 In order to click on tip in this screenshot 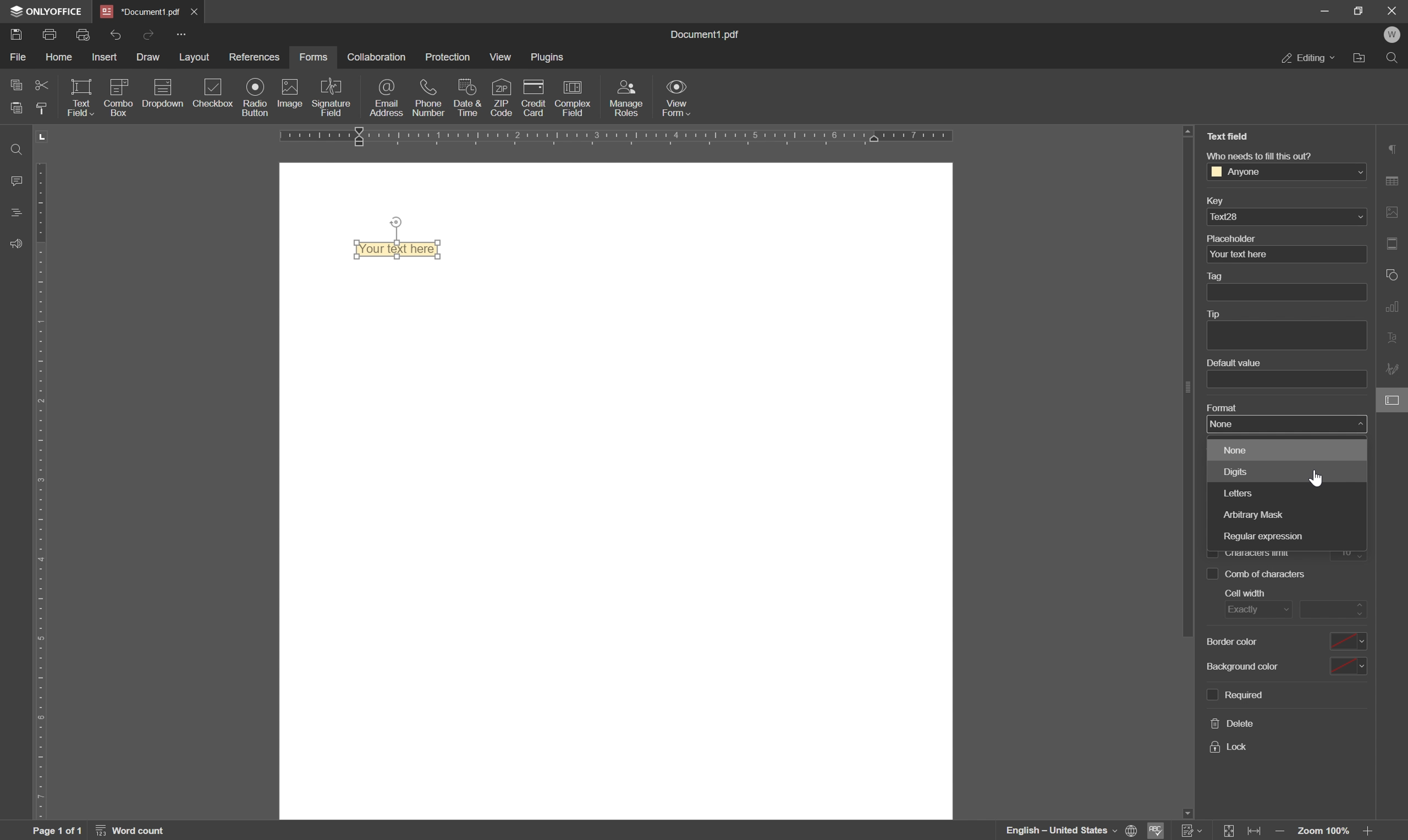, I will do `click(1215, 314)`.